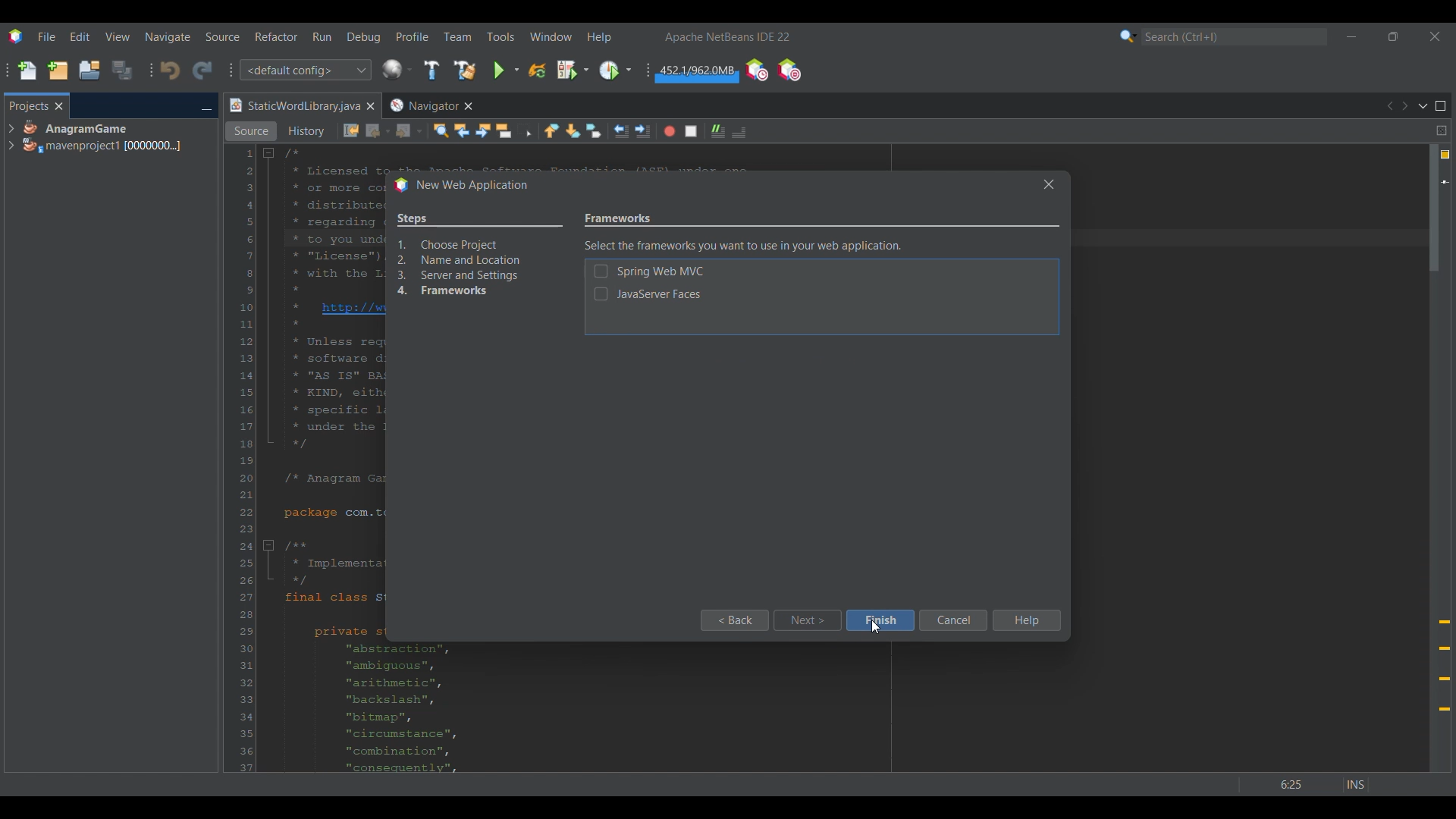  Describe the element at coordinates (952, 620) in the screenshot. I see `Cancel` at that location.